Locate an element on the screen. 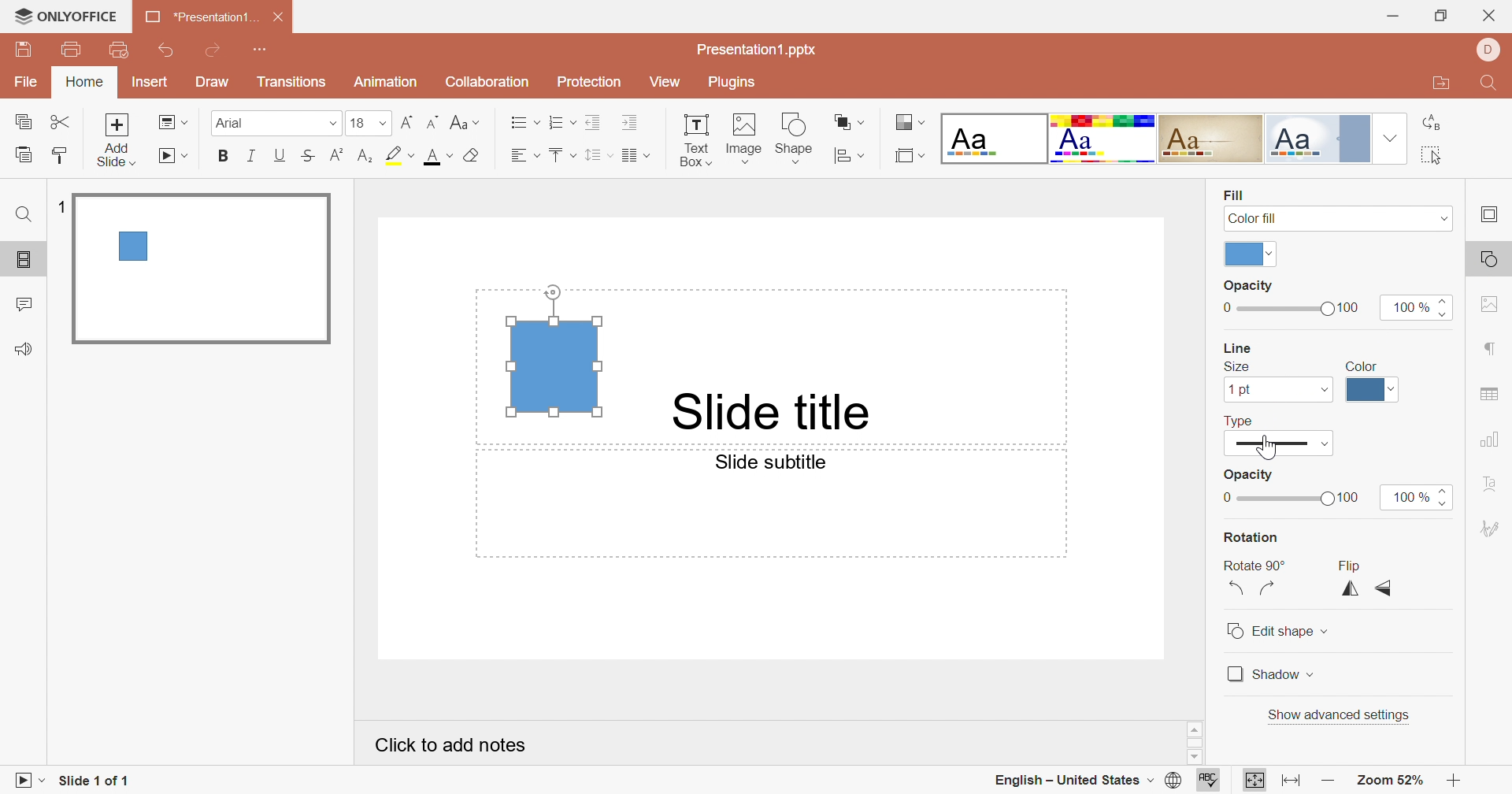 This screenshot has height=794, width=1512. Scrollbar is located at coordinates (1188, 742).